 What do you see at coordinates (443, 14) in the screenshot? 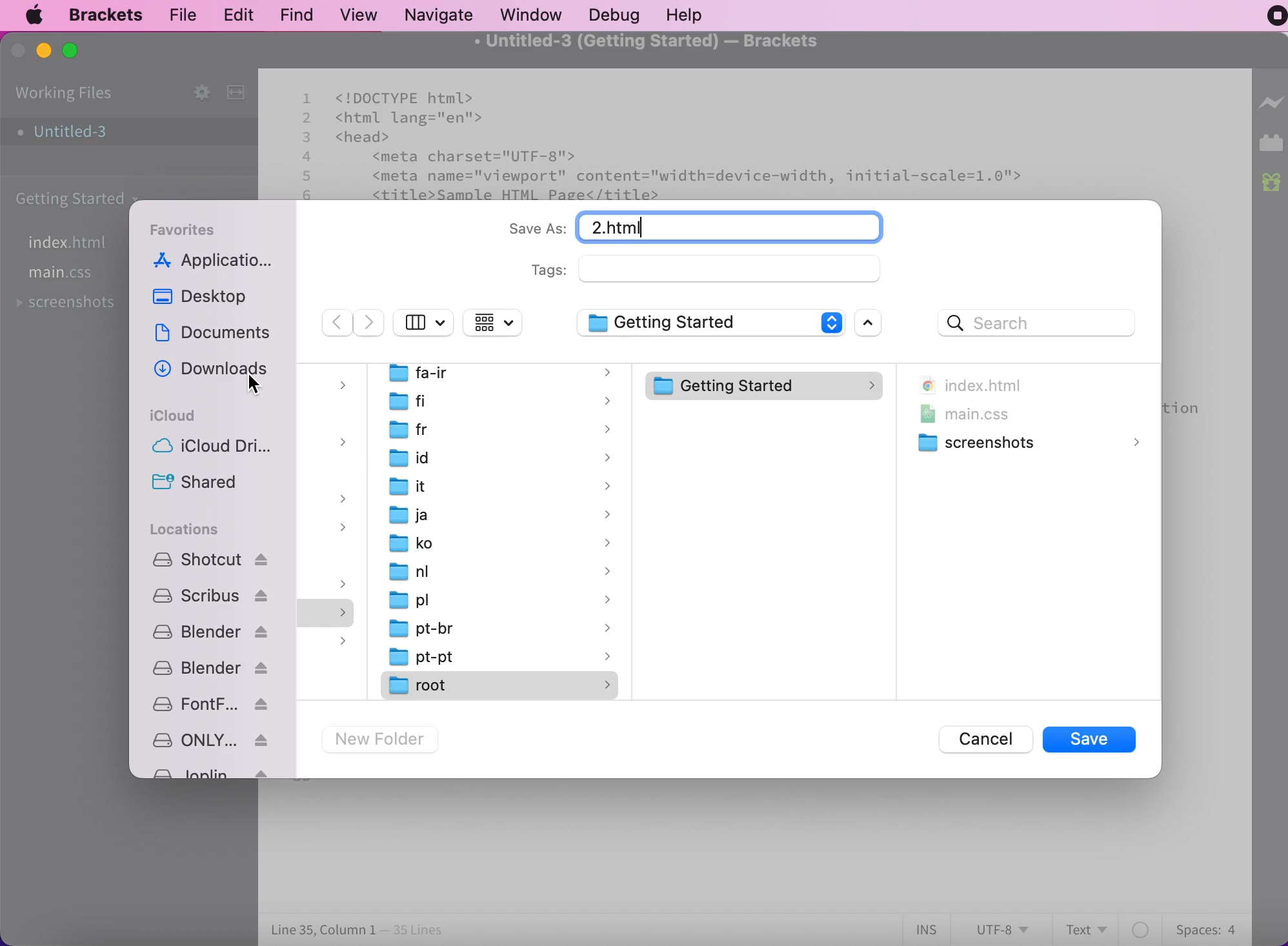
I see `navigate` at bounding box center [443, 14].